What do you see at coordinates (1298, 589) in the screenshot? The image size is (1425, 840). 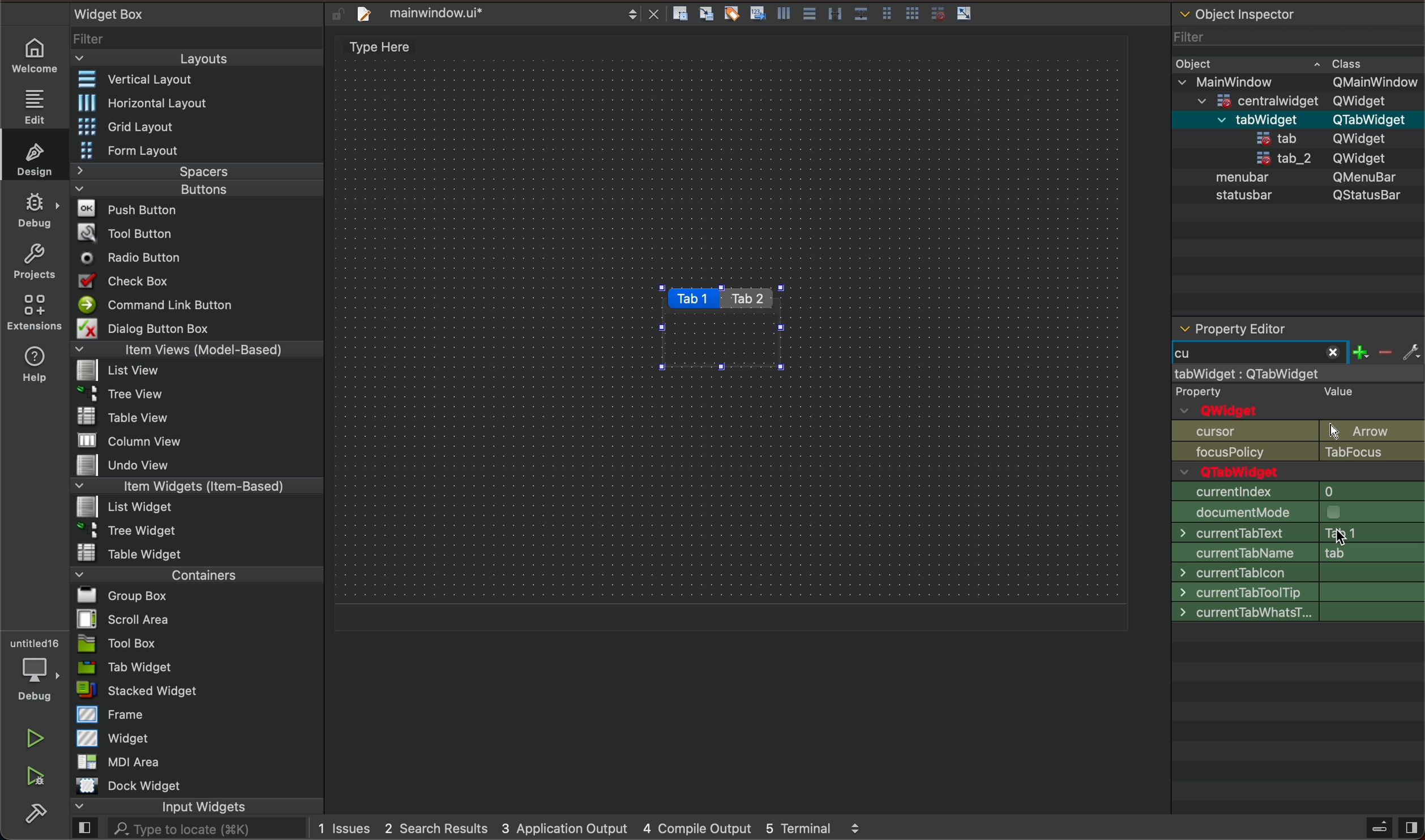 I see `base size` at bounding box center [1298, 589].